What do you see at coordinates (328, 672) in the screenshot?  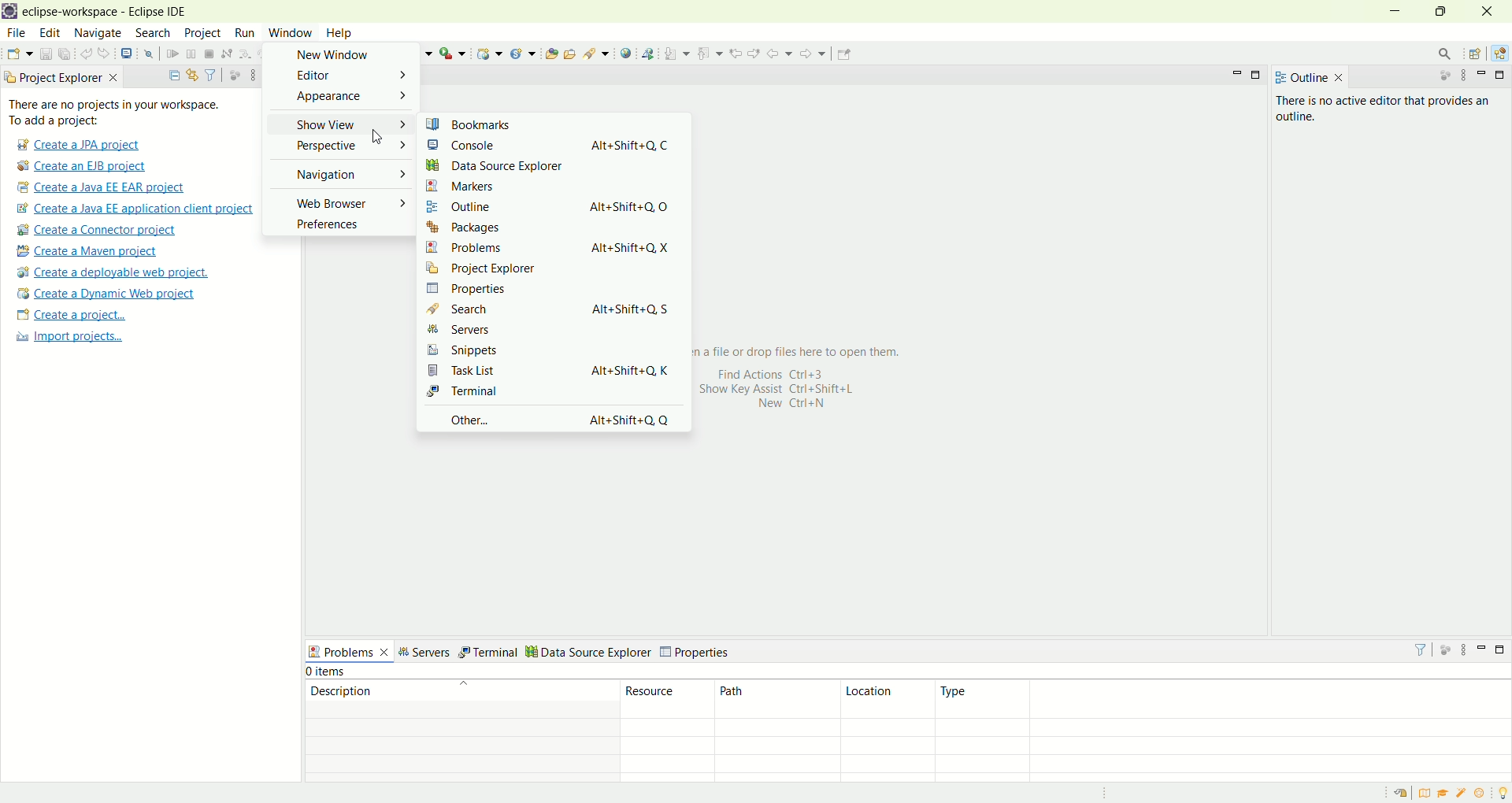 I see `items` at bounding box center [328, 672].